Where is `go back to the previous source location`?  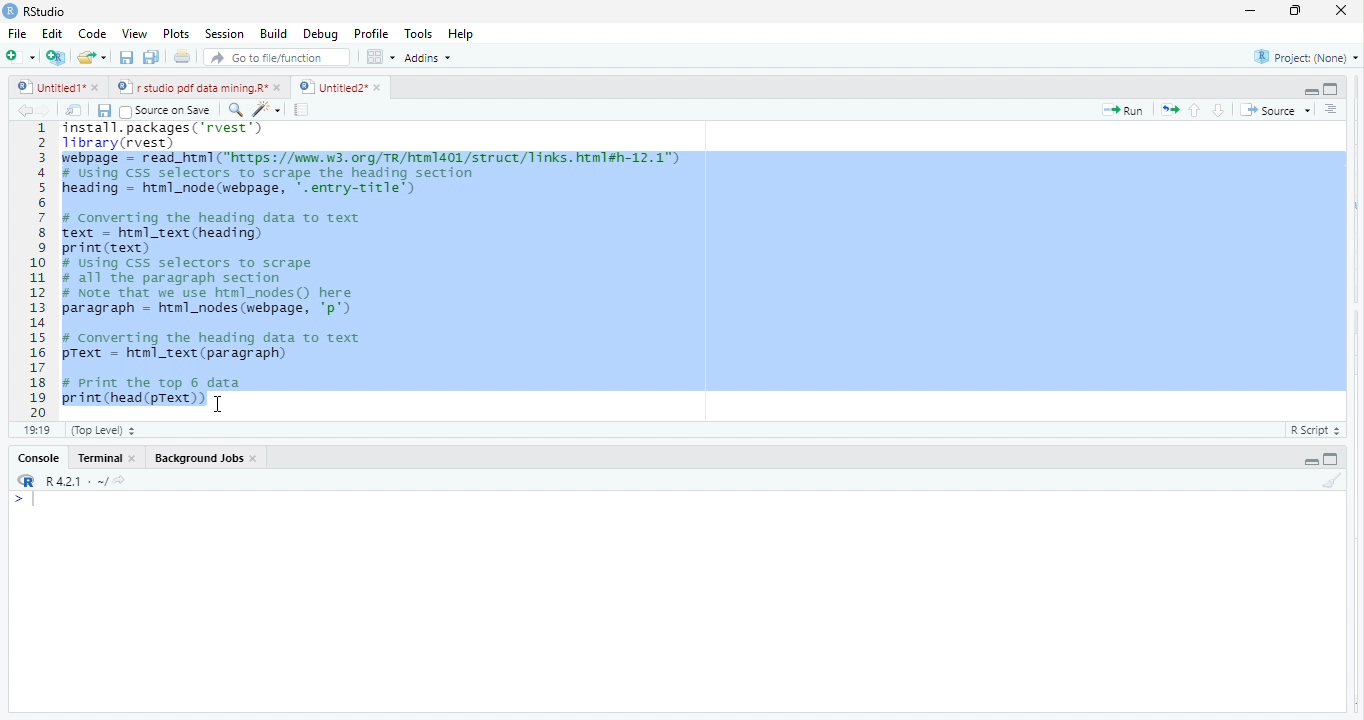 go back to the previous source location is located at coordinates (25, 110).